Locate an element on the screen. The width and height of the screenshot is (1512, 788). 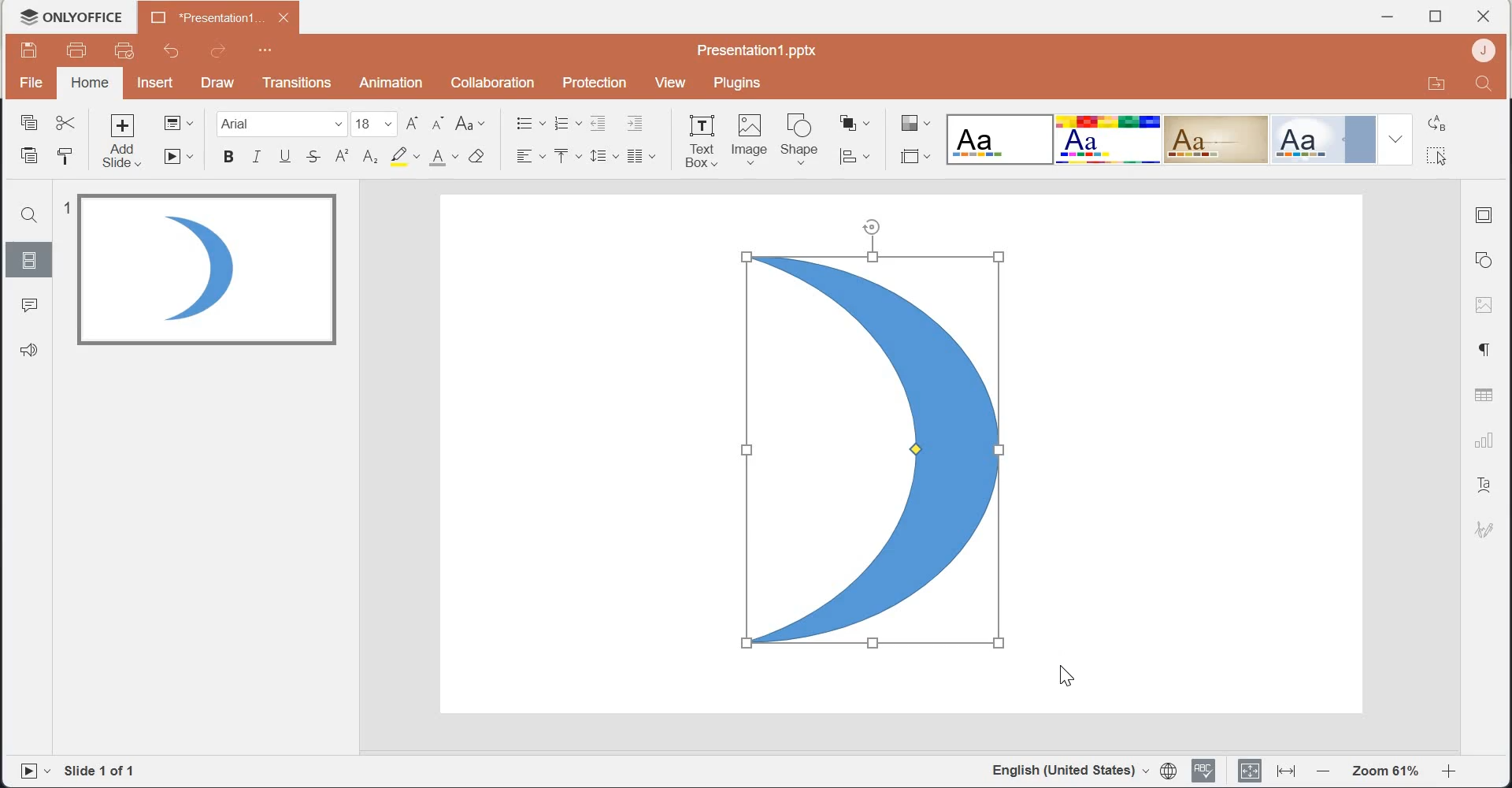
Image is located at coordinates (1485, 307).